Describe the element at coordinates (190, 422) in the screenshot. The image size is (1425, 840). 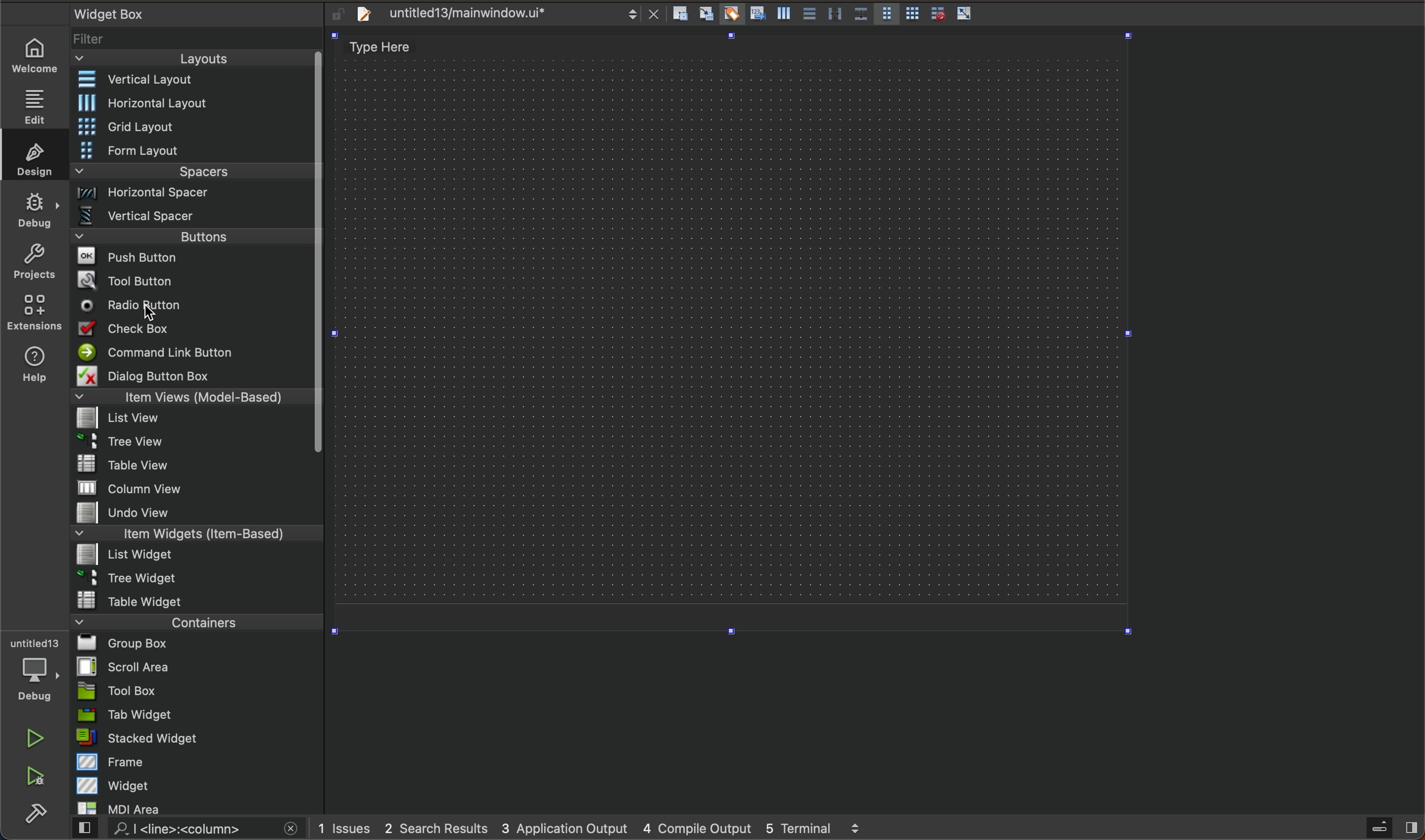
I see `list view` at that location.